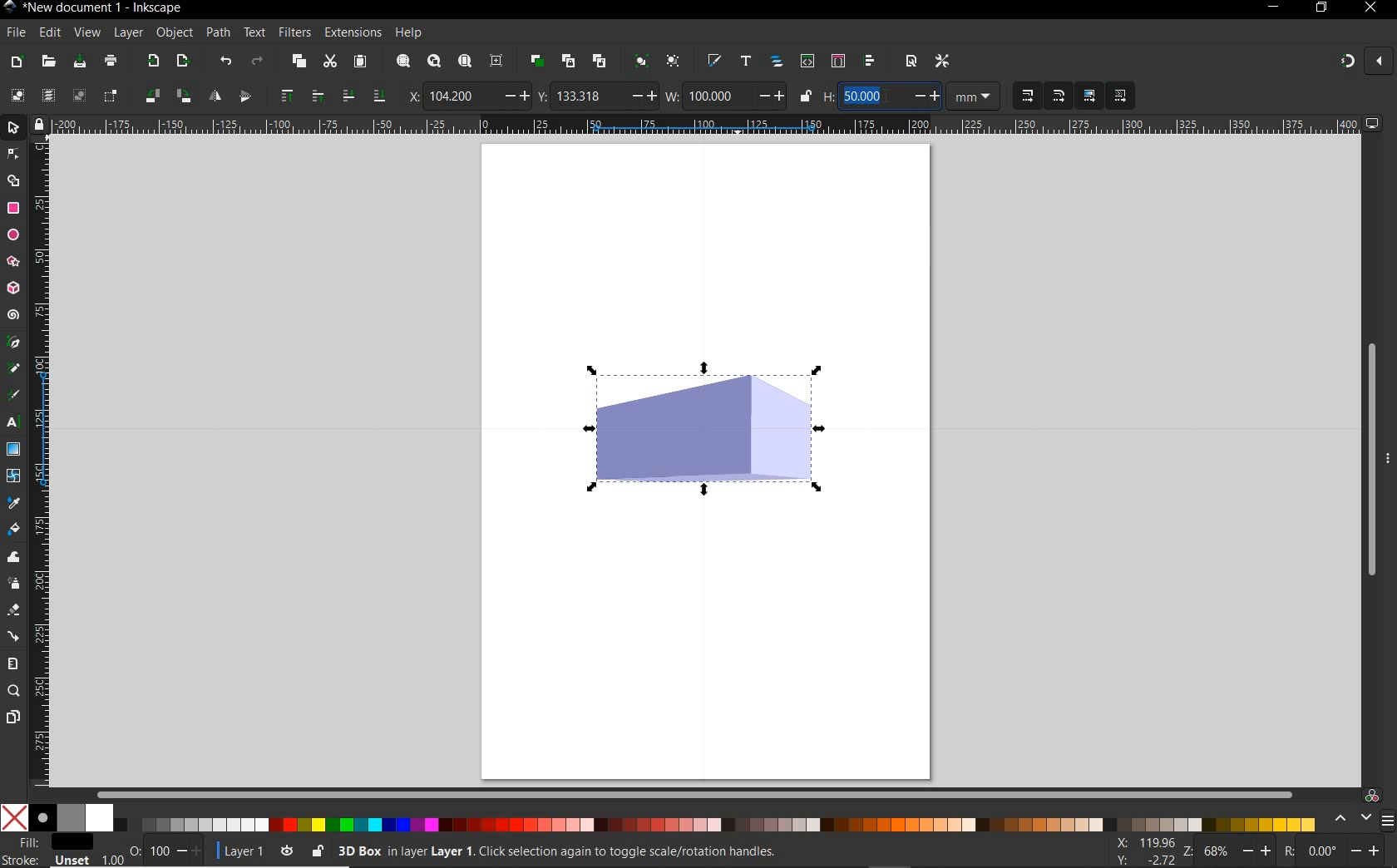 Image resolution: width=1397 pixels, height=868 pixels. What do you see at coordinates (216, 32) in the screenshot?
I see `path` at bounding box center [216, 32].